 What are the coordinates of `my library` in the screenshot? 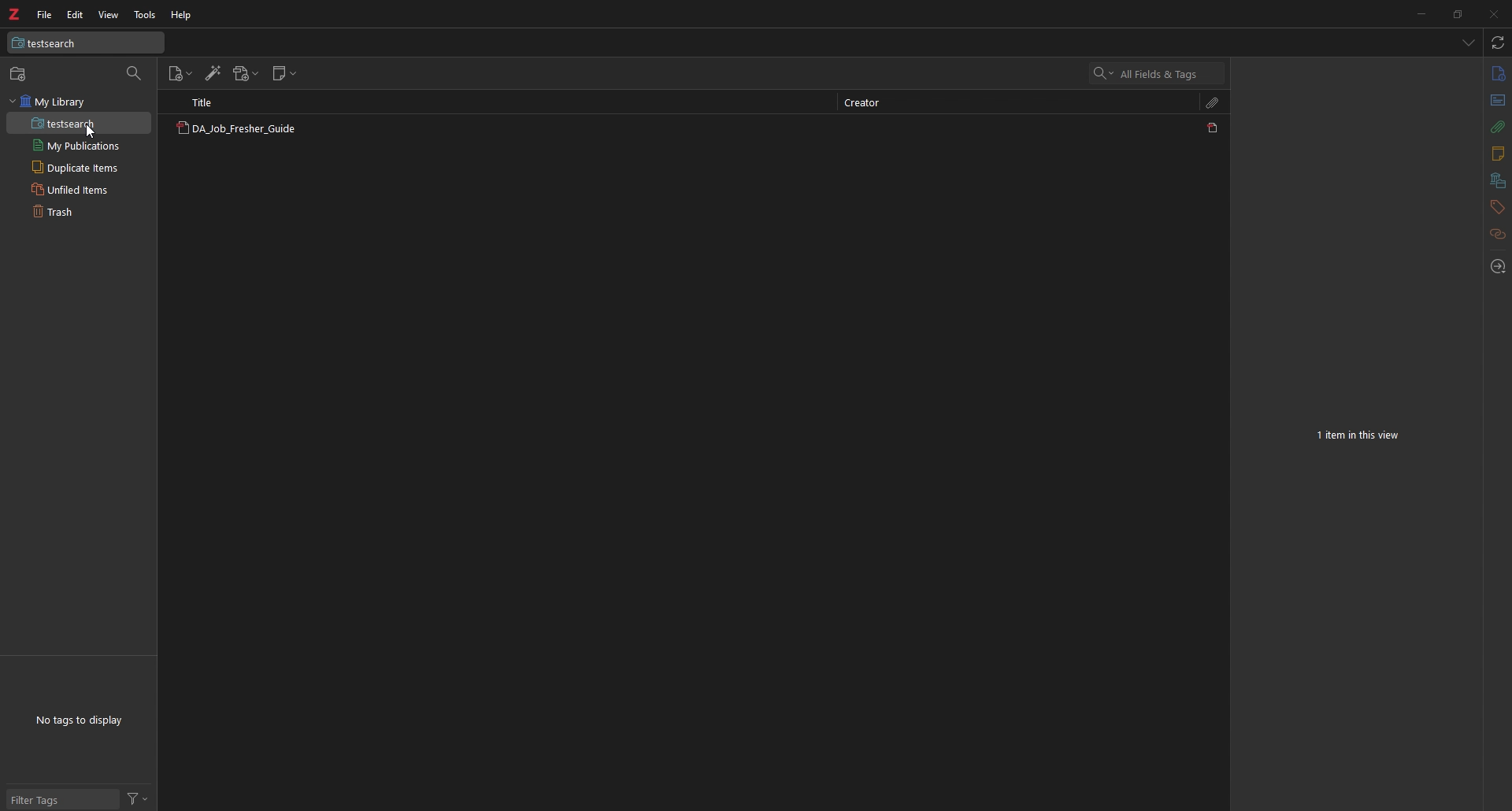 It's located at (79, 102).